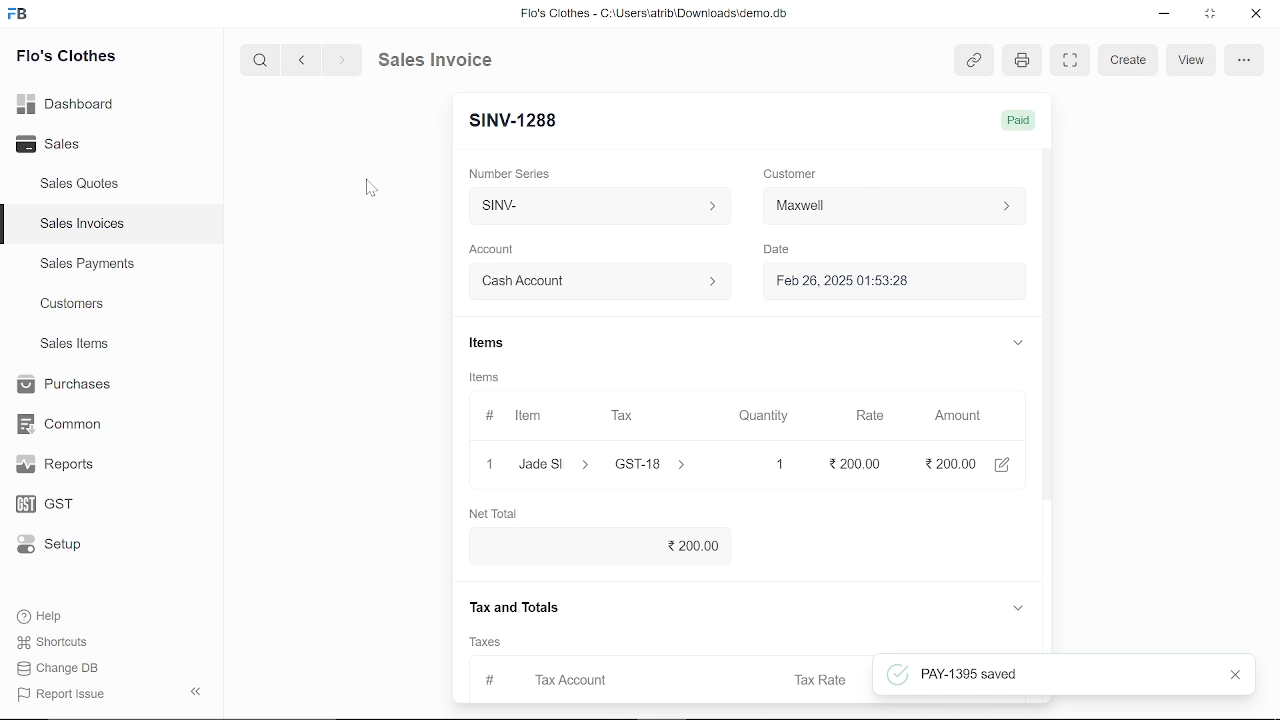  What do you see at coordinates (762, 464) in the screenshot?
I see `1` at bounding box center [762, 464].